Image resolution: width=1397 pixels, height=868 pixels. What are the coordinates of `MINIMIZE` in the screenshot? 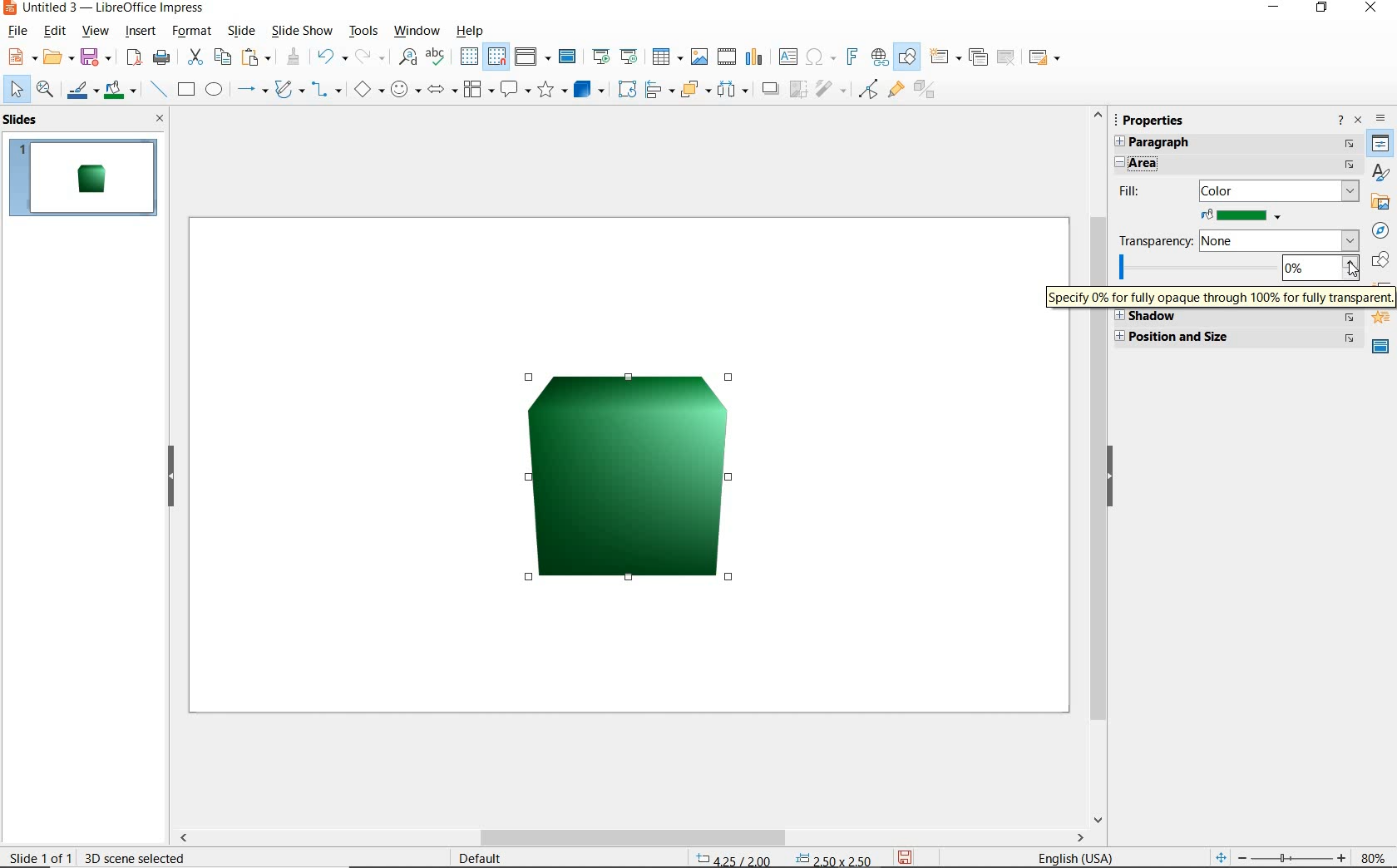 It's located at (1277, 7).